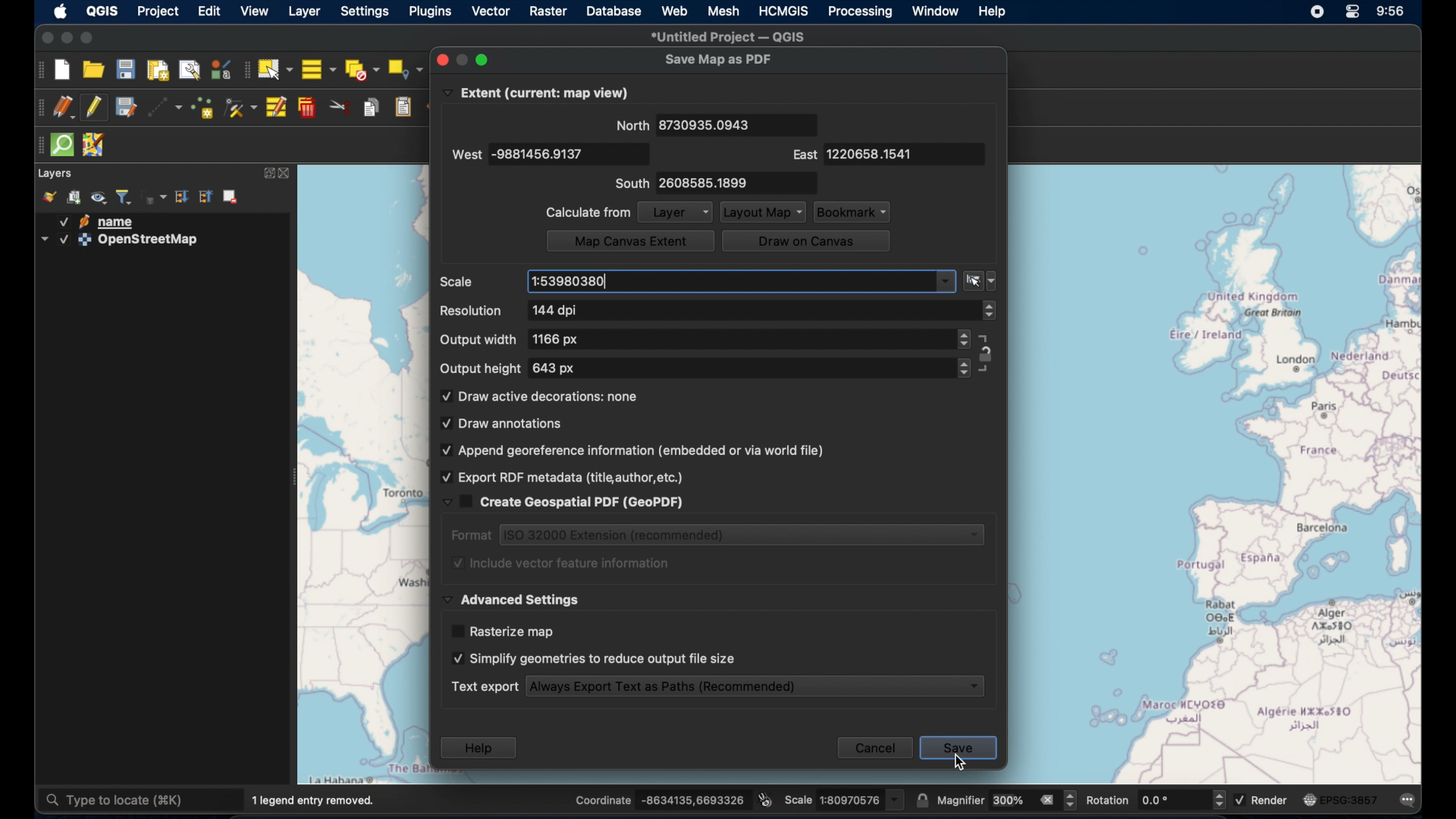  I want to click on south, so click(630, 182).